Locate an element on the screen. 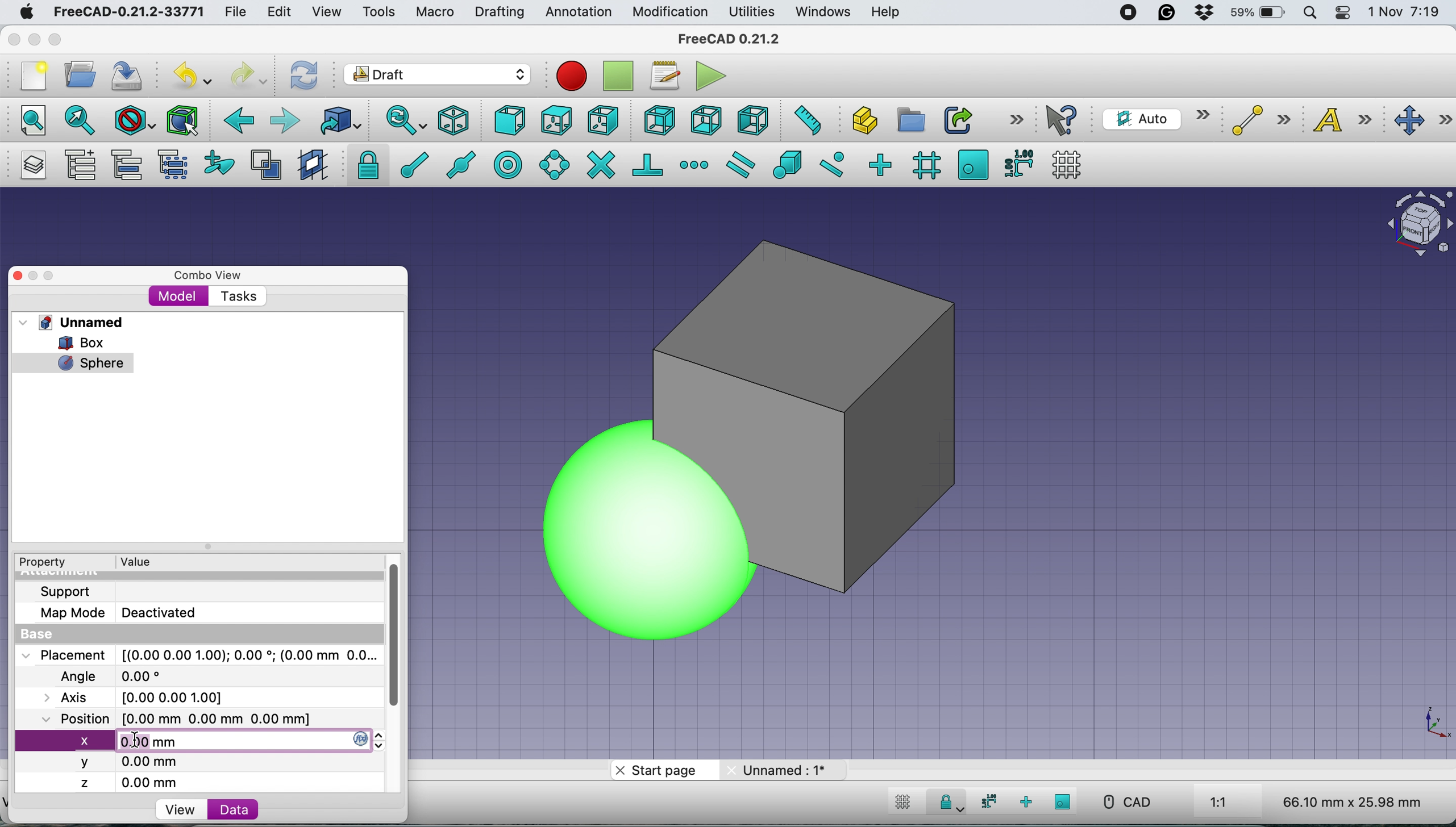  object intersection is located at coordinates (1418, 222).